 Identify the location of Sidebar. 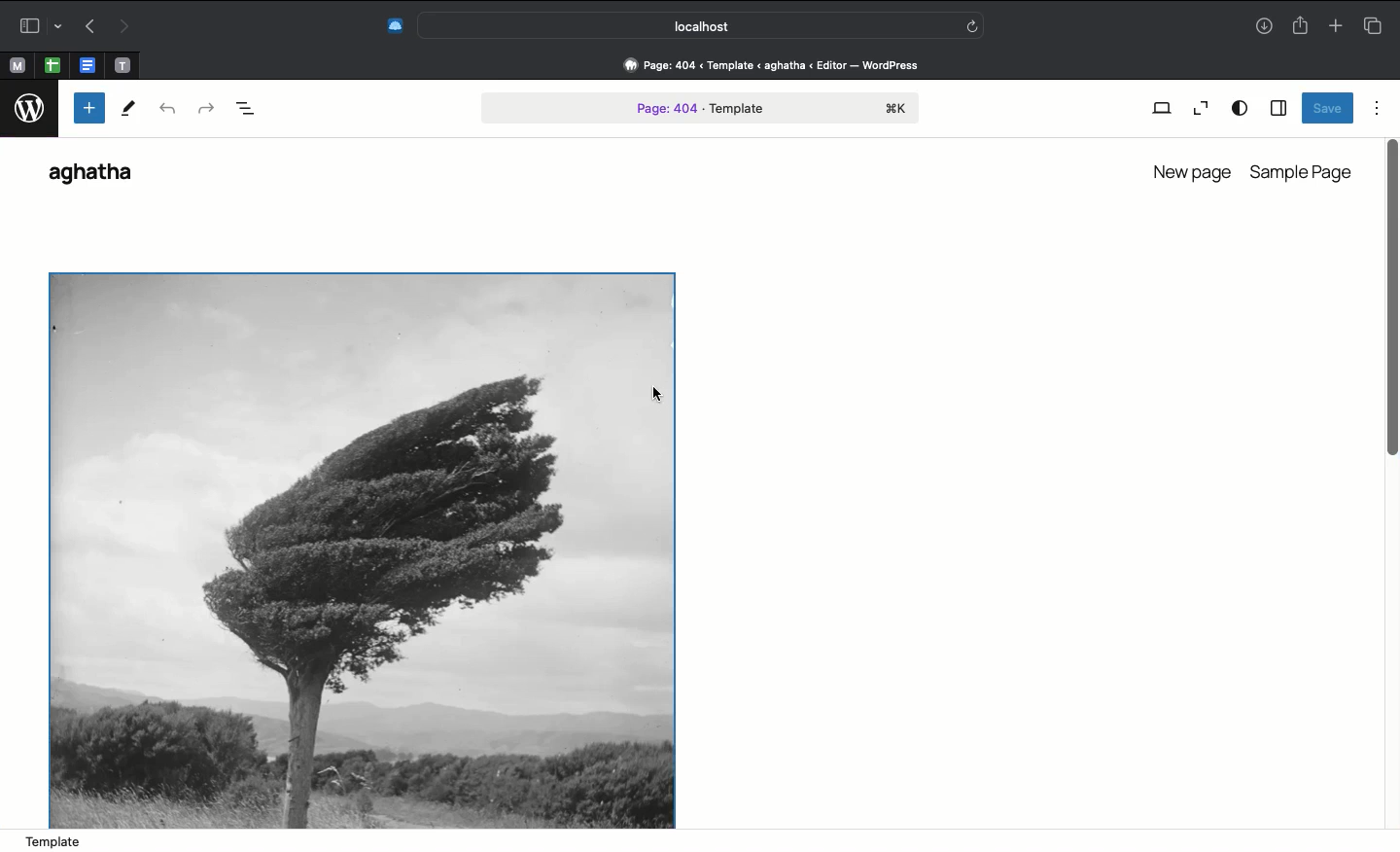
(37, 25).